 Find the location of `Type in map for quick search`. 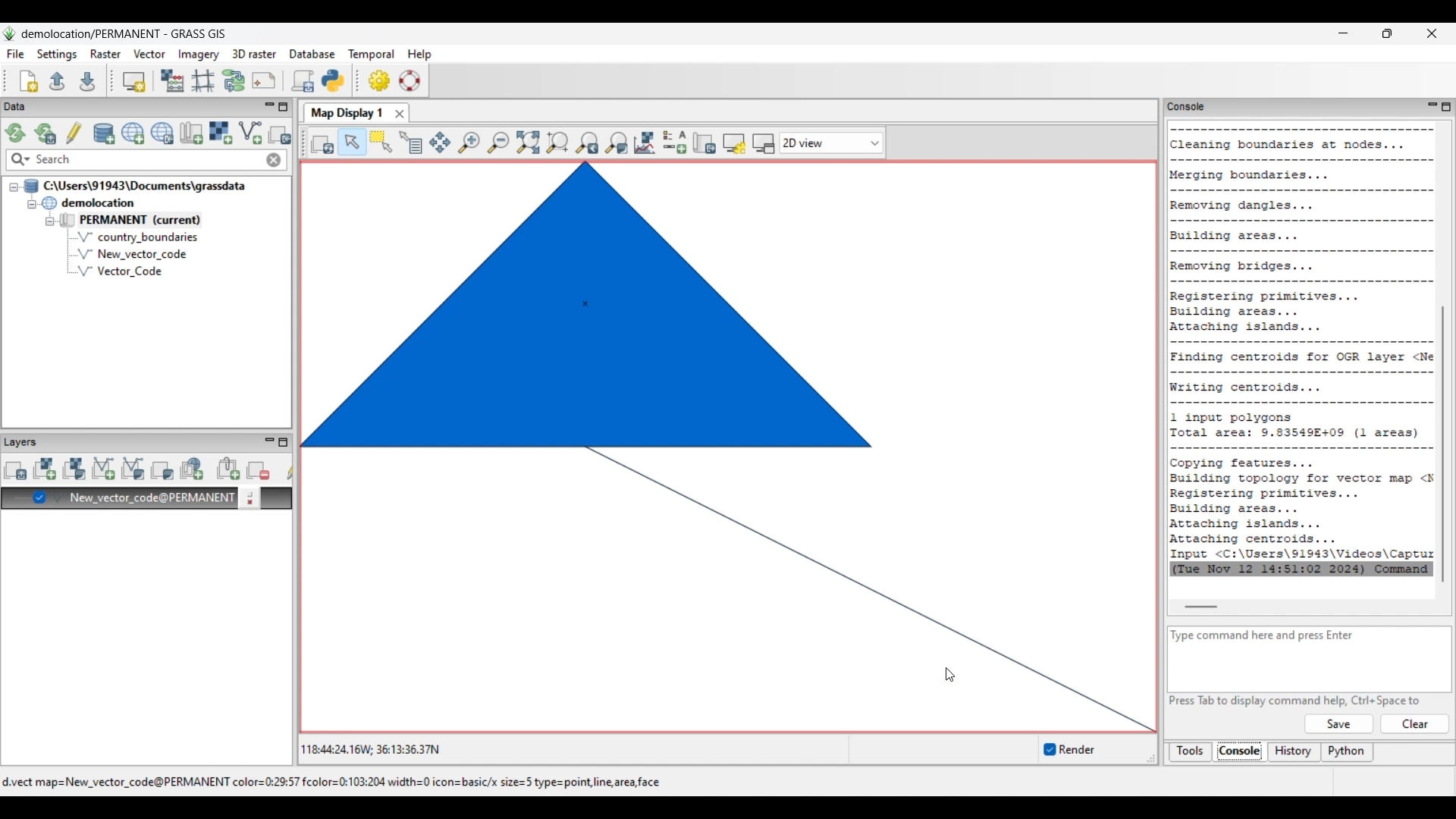

Type in map for quick search is located at coordinates (148, 160).